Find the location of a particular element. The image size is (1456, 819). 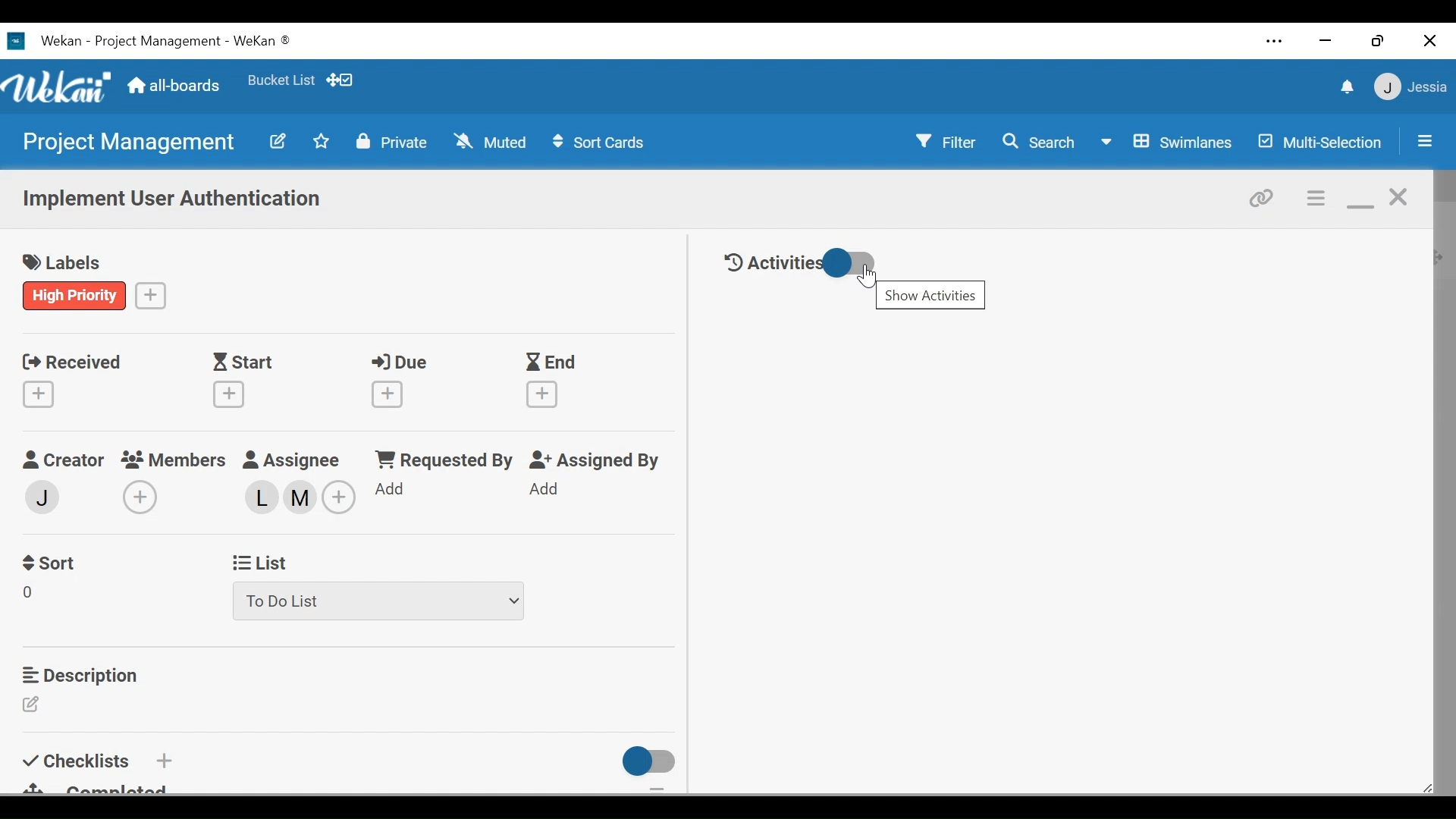

all-boards is located at coordinates (174, 86).